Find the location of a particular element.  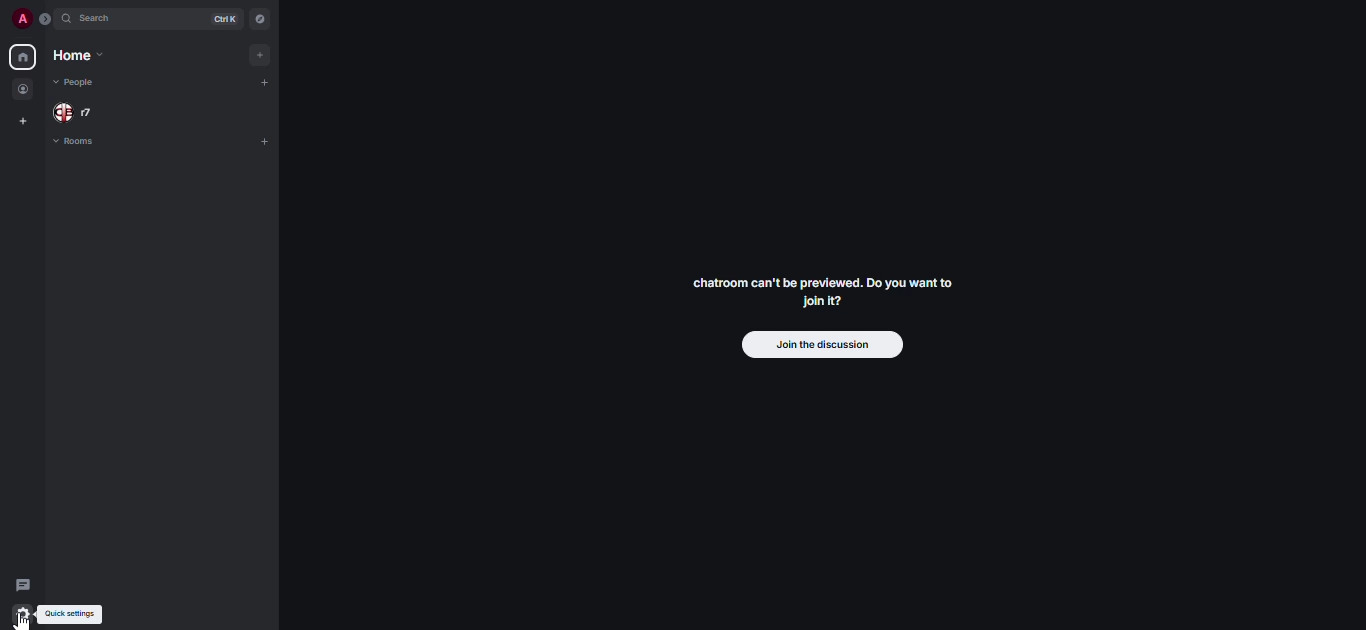

search is located at coordinates (100, 21).